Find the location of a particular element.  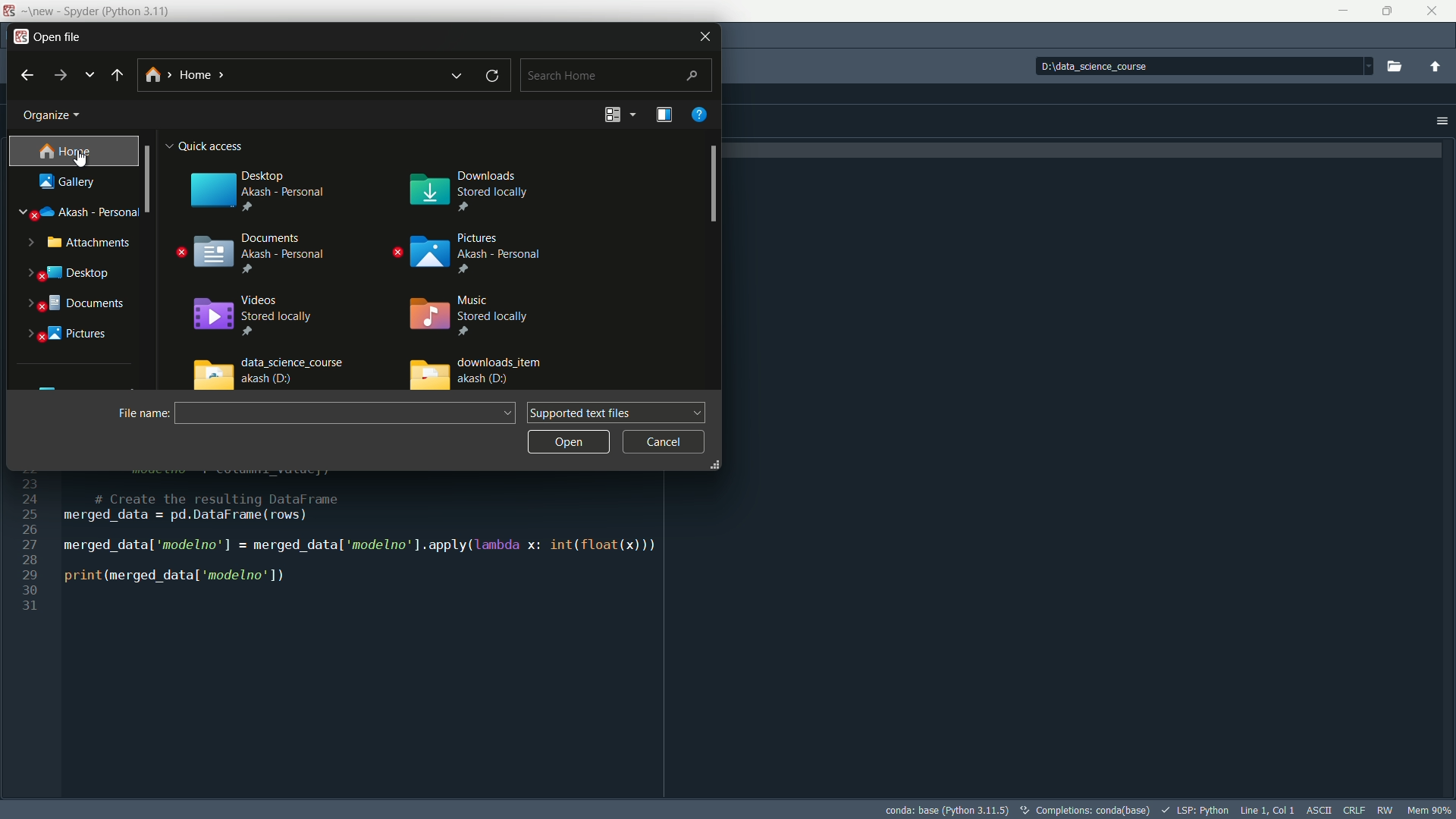

options is located at coordinates (1441, 121).